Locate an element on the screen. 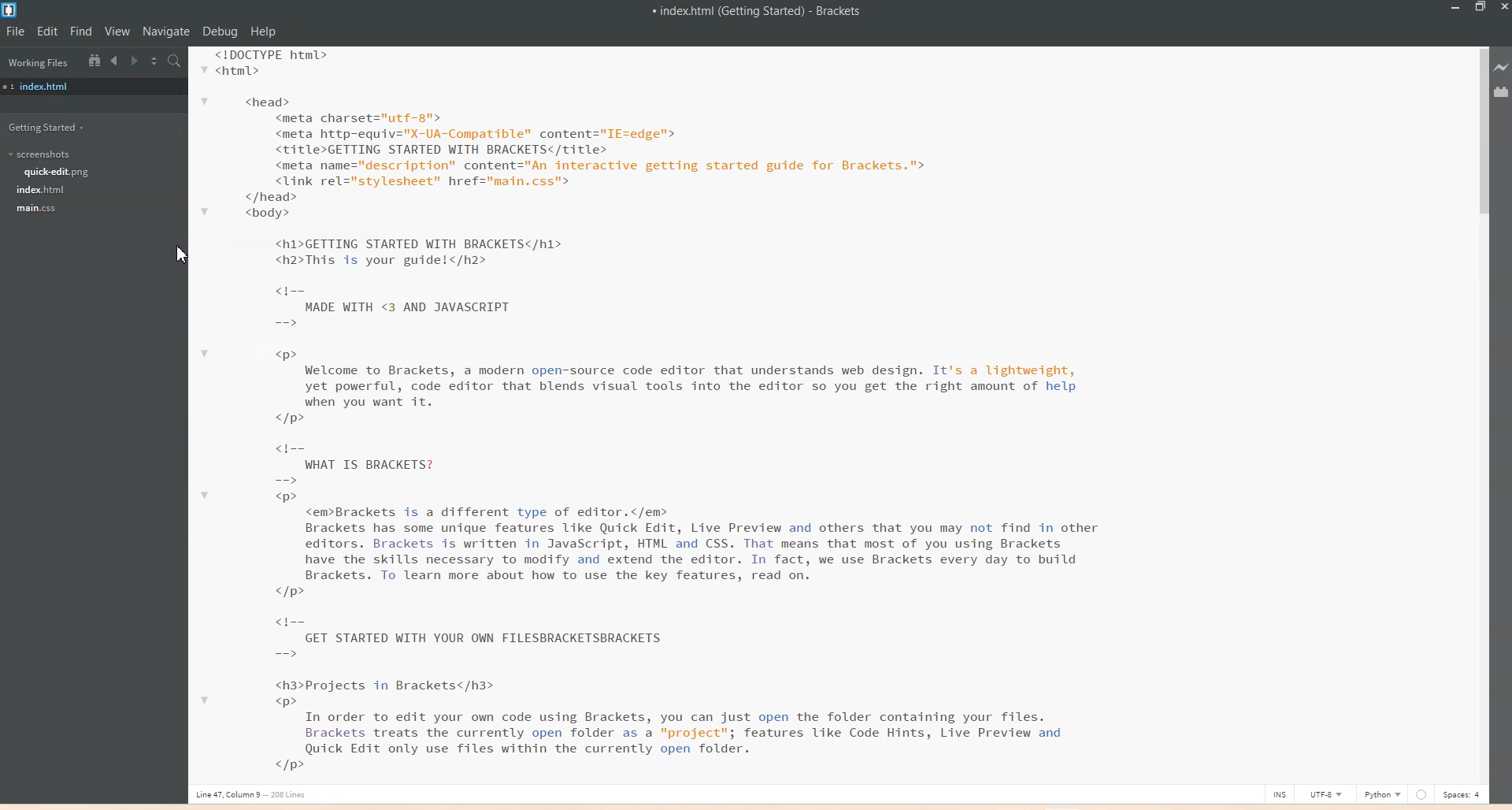 Image resolution: width=1512 pixels, height=810 pixels. Navigate Backward is located at coordinates (116, 61).